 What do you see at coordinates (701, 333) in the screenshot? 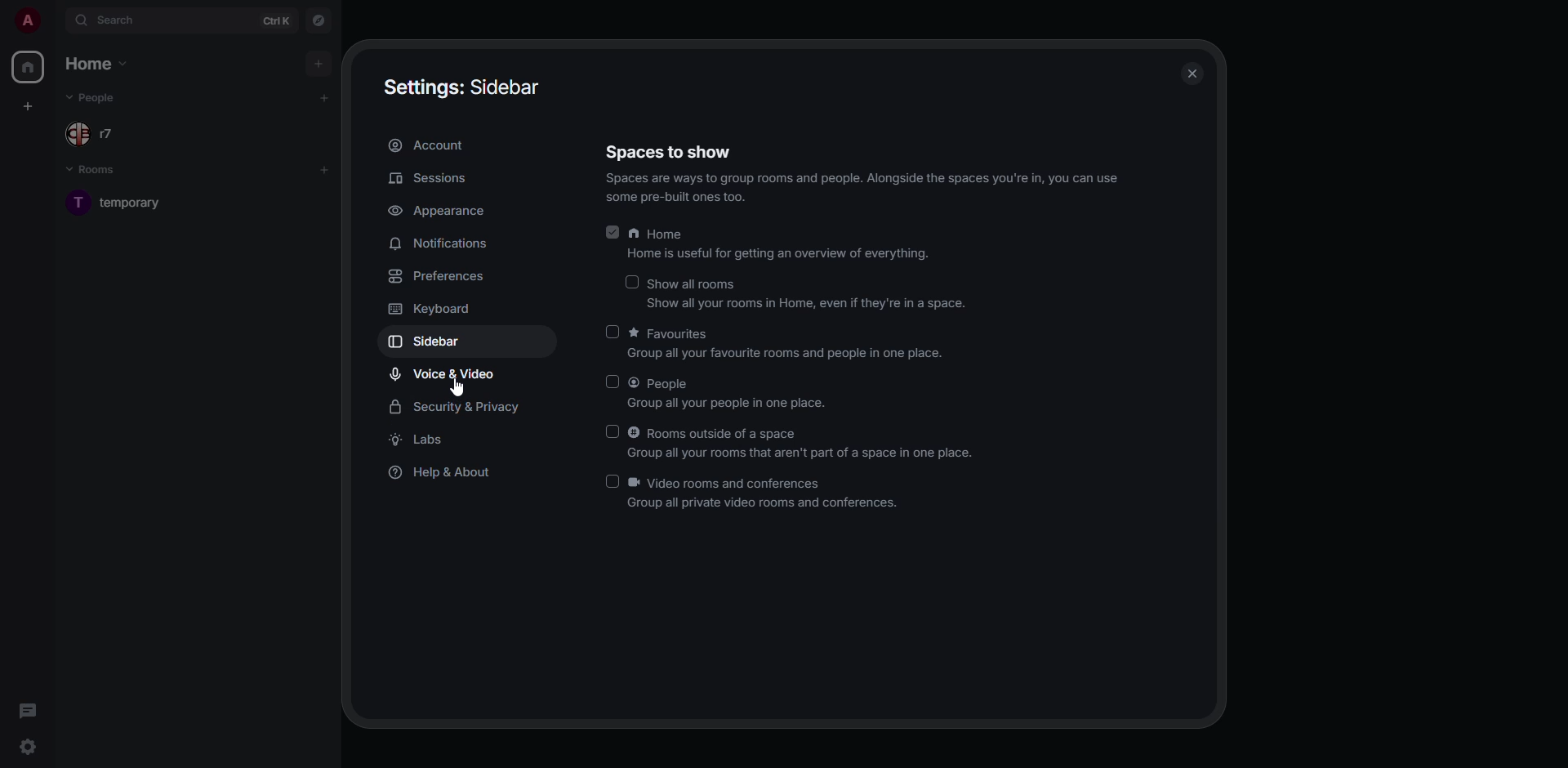
I see `favorites` at bounding box center [701, 333].